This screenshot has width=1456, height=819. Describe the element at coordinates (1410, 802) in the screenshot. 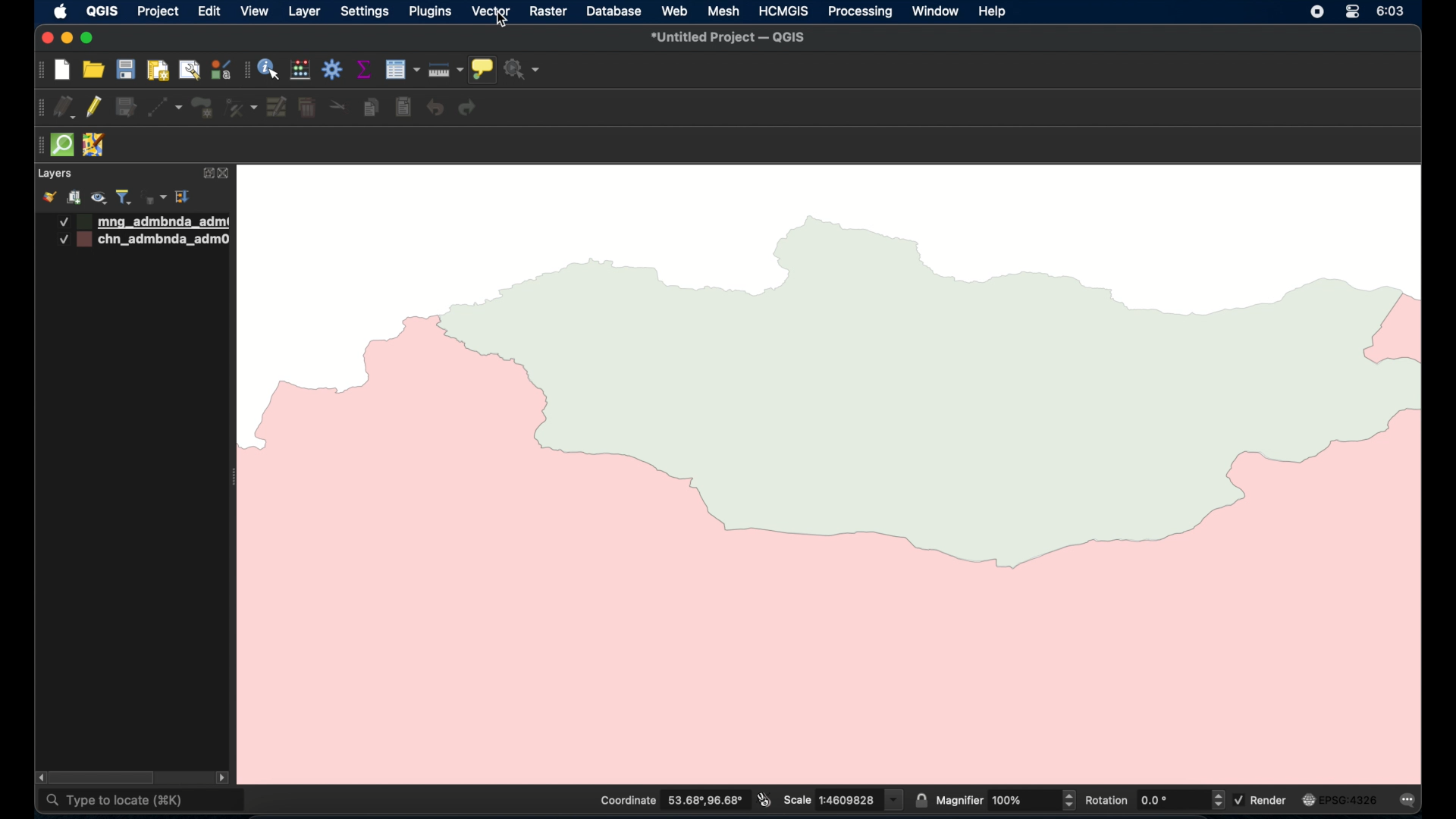

I see `messages` at that location.